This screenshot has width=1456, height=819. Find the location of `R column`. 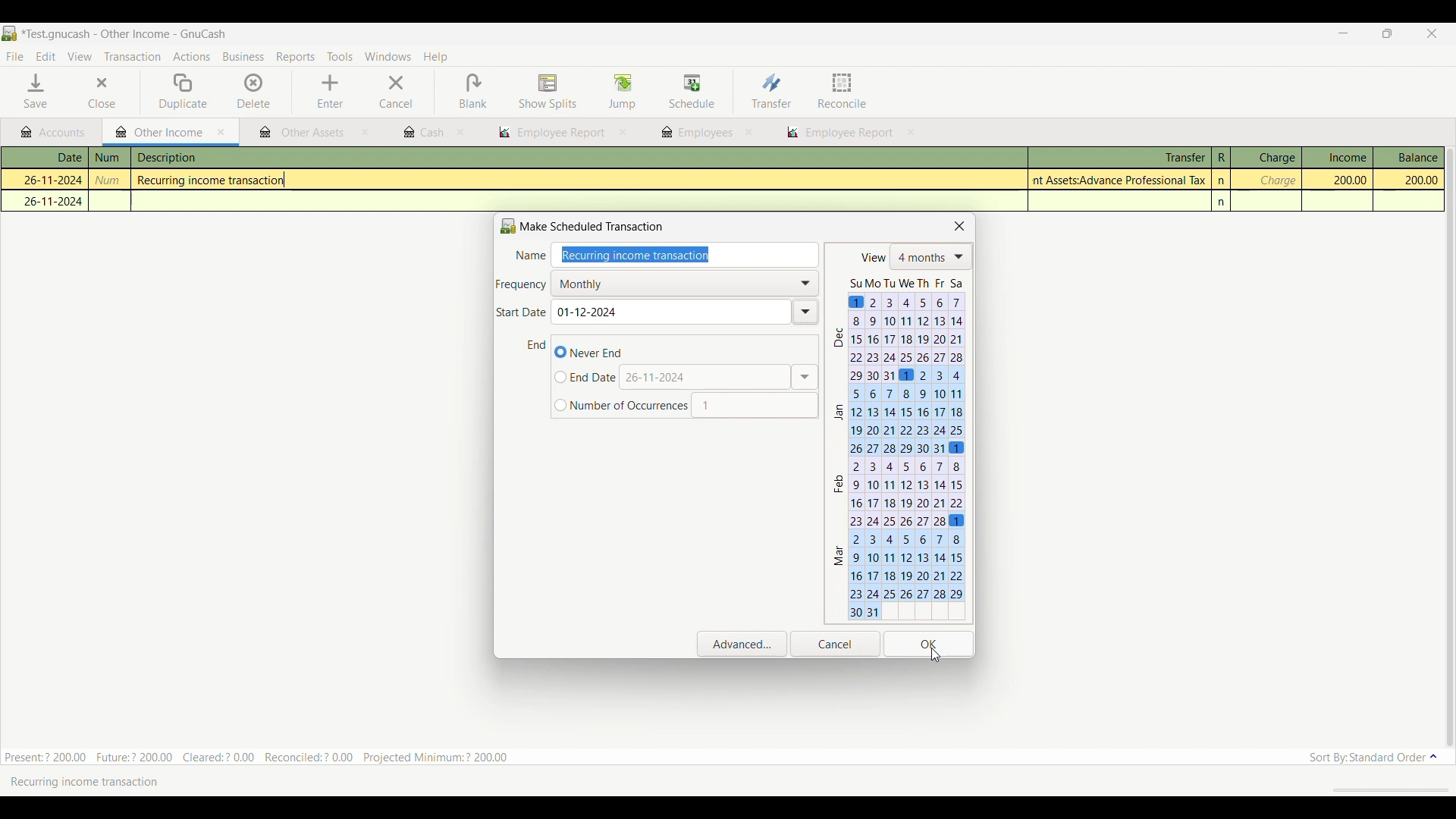

R column is located at coordinates (1220, 158).